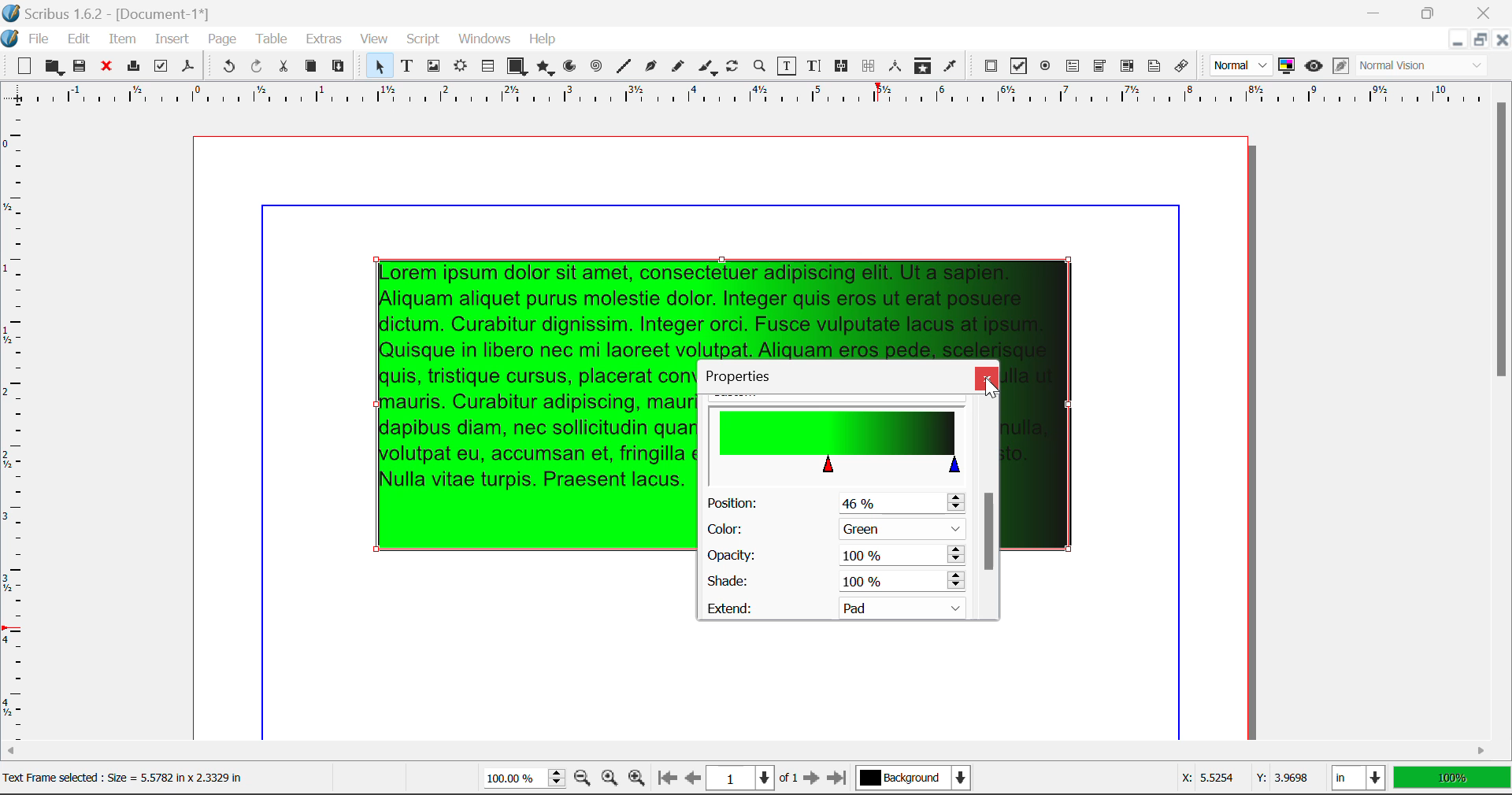  What do you see at coordinates (170, 42) in the screenshot?
I see `Insert` at bounding box center [170, 42].